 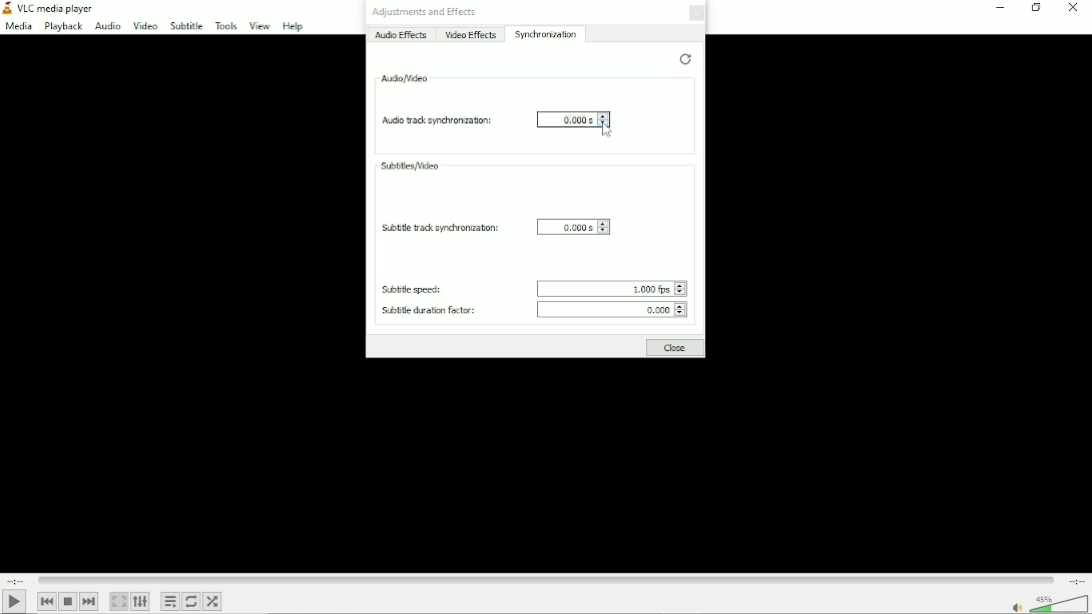 I want to click on Adjustments and effects, so click(x=424, y=12).